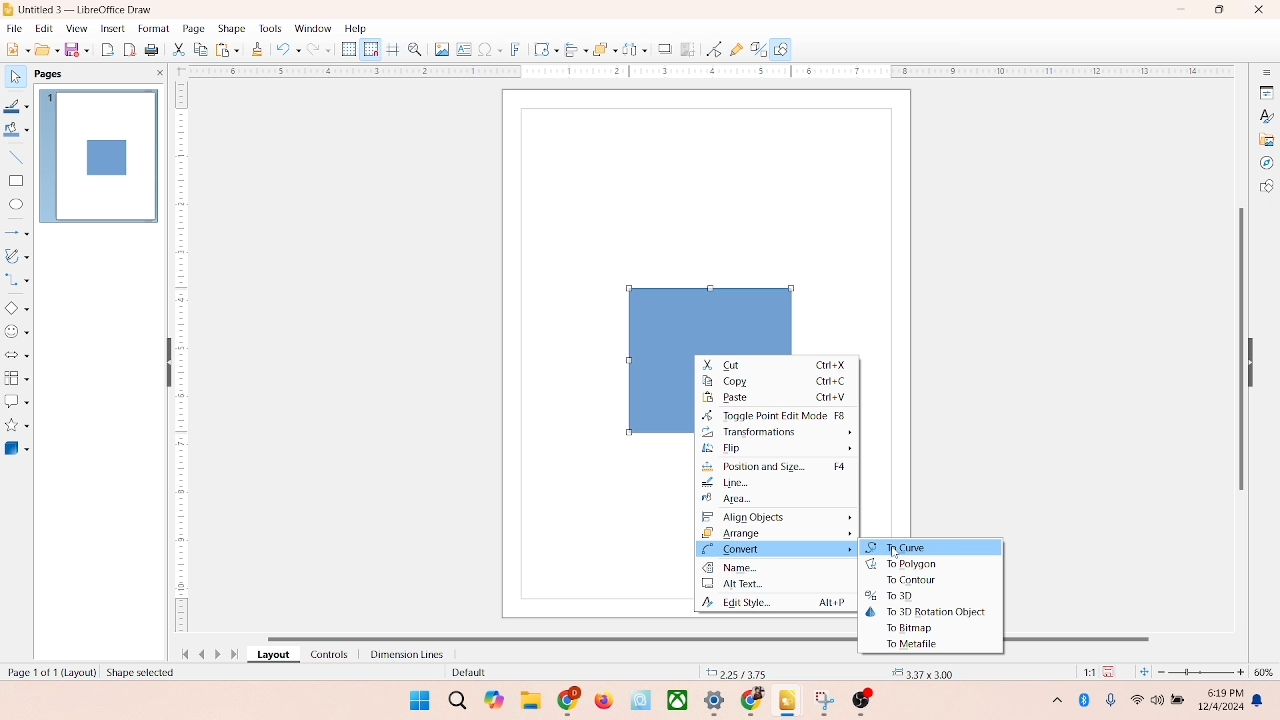 This screenshot has width=1280, height=720. Describe the element at coordinates (753, 50) in the screenshot. I see `toggle extrusion` at that location.